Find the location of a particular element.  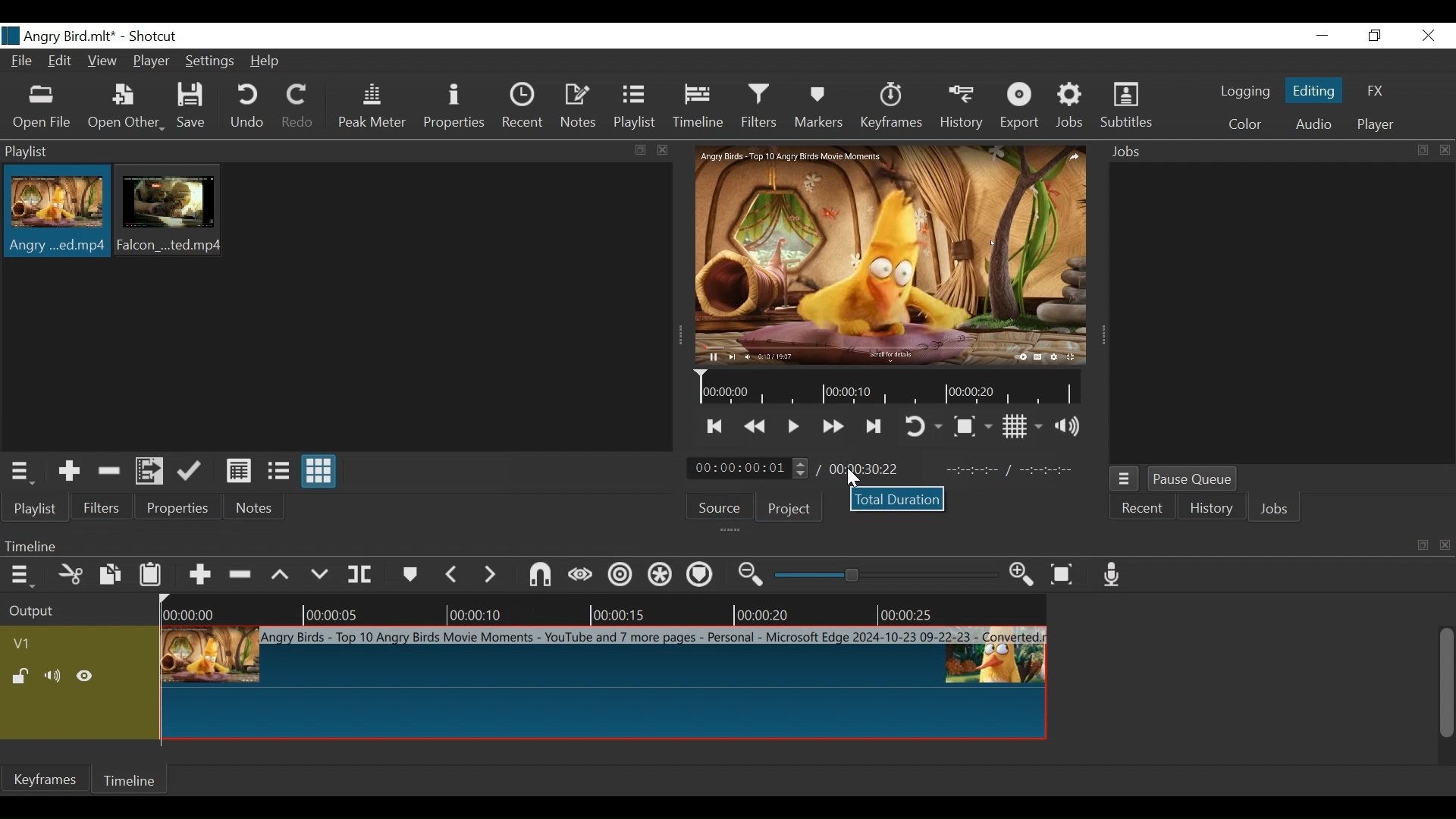

(un)lock track is located at coordinates (20, 676).